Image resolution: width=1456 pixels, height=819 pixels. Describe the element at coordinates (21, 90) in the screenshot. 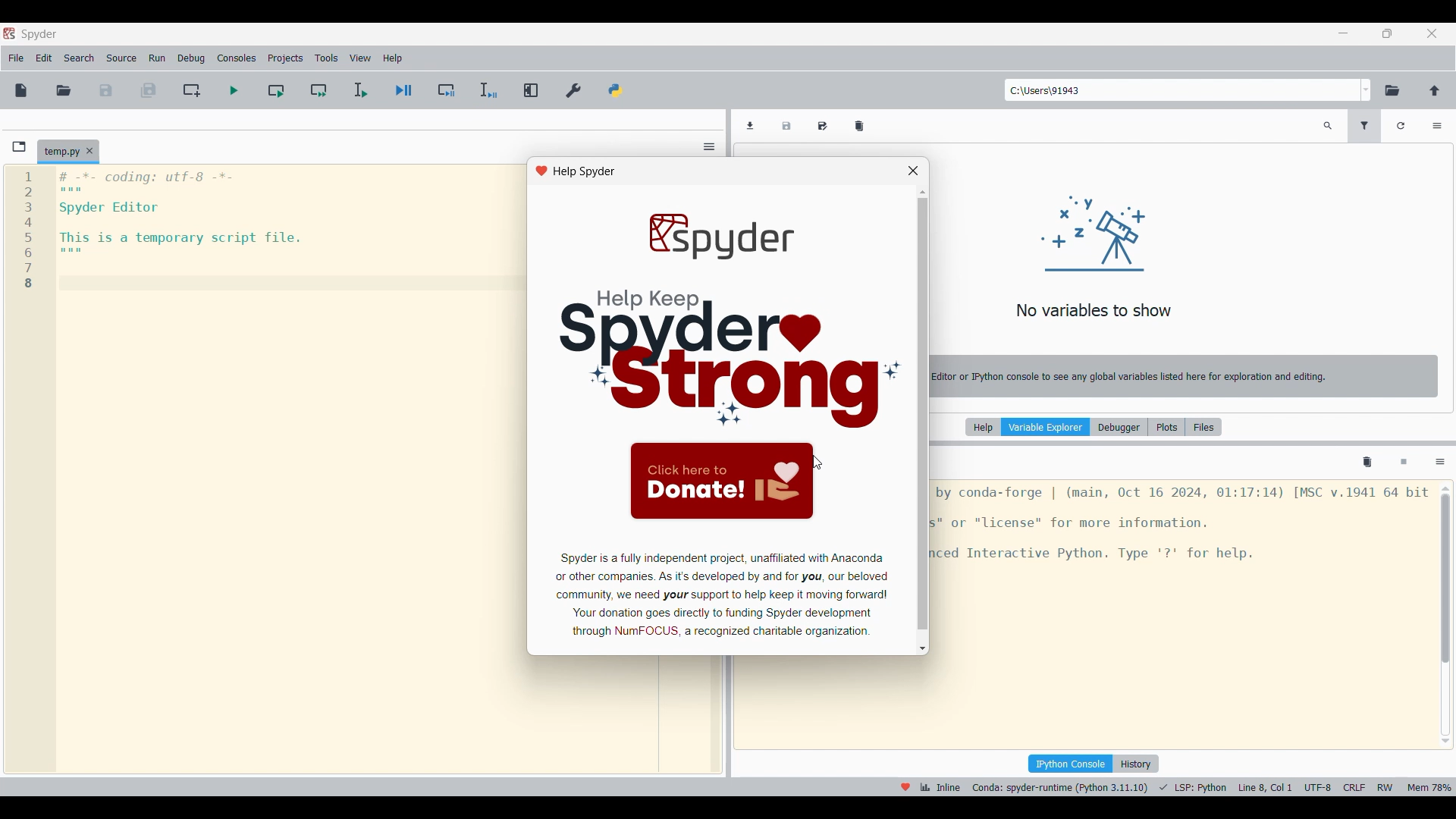

I see `New file` at that location.